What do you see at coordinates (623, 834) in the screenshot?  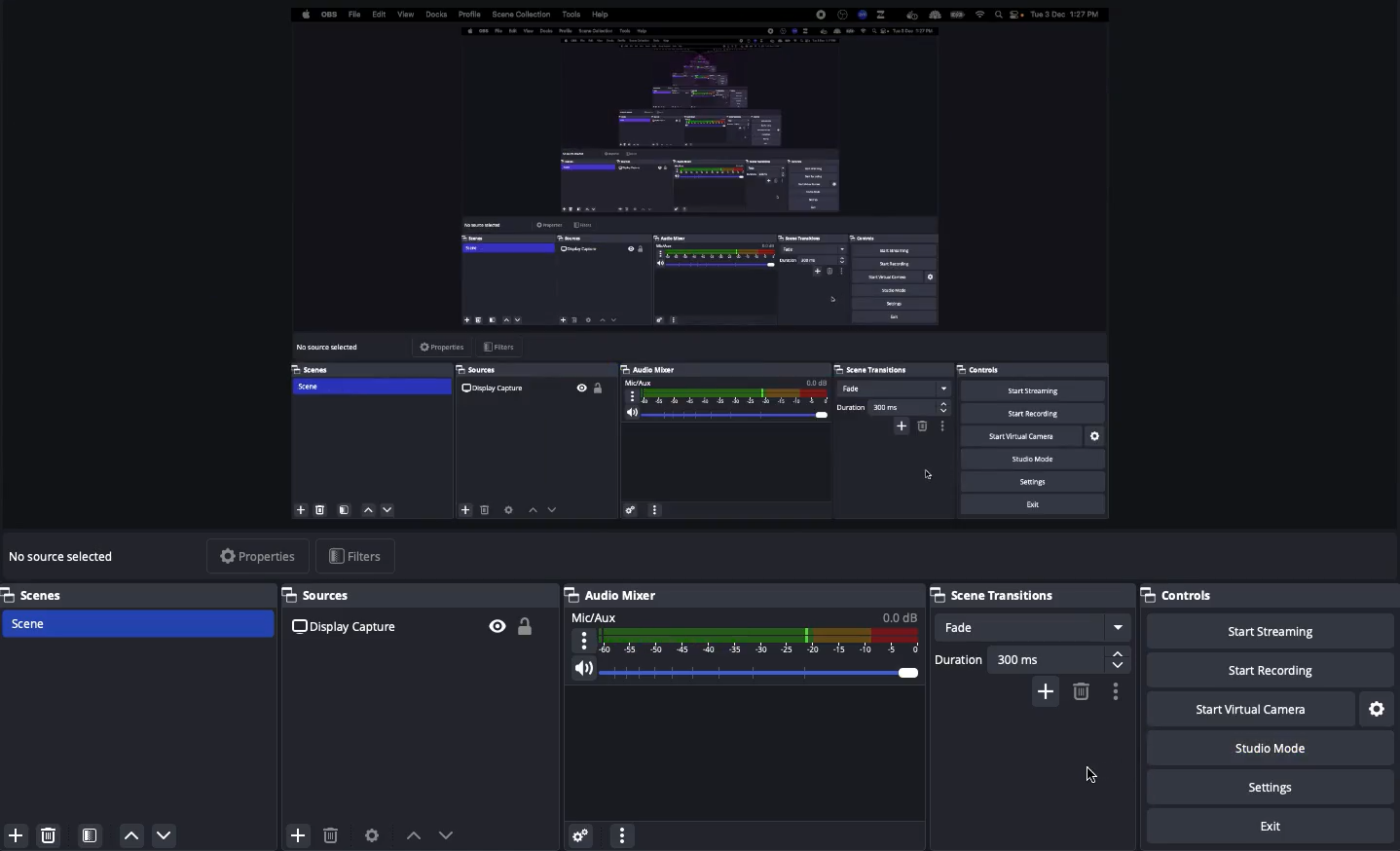 I see `options` at bounding box center [623, 834].